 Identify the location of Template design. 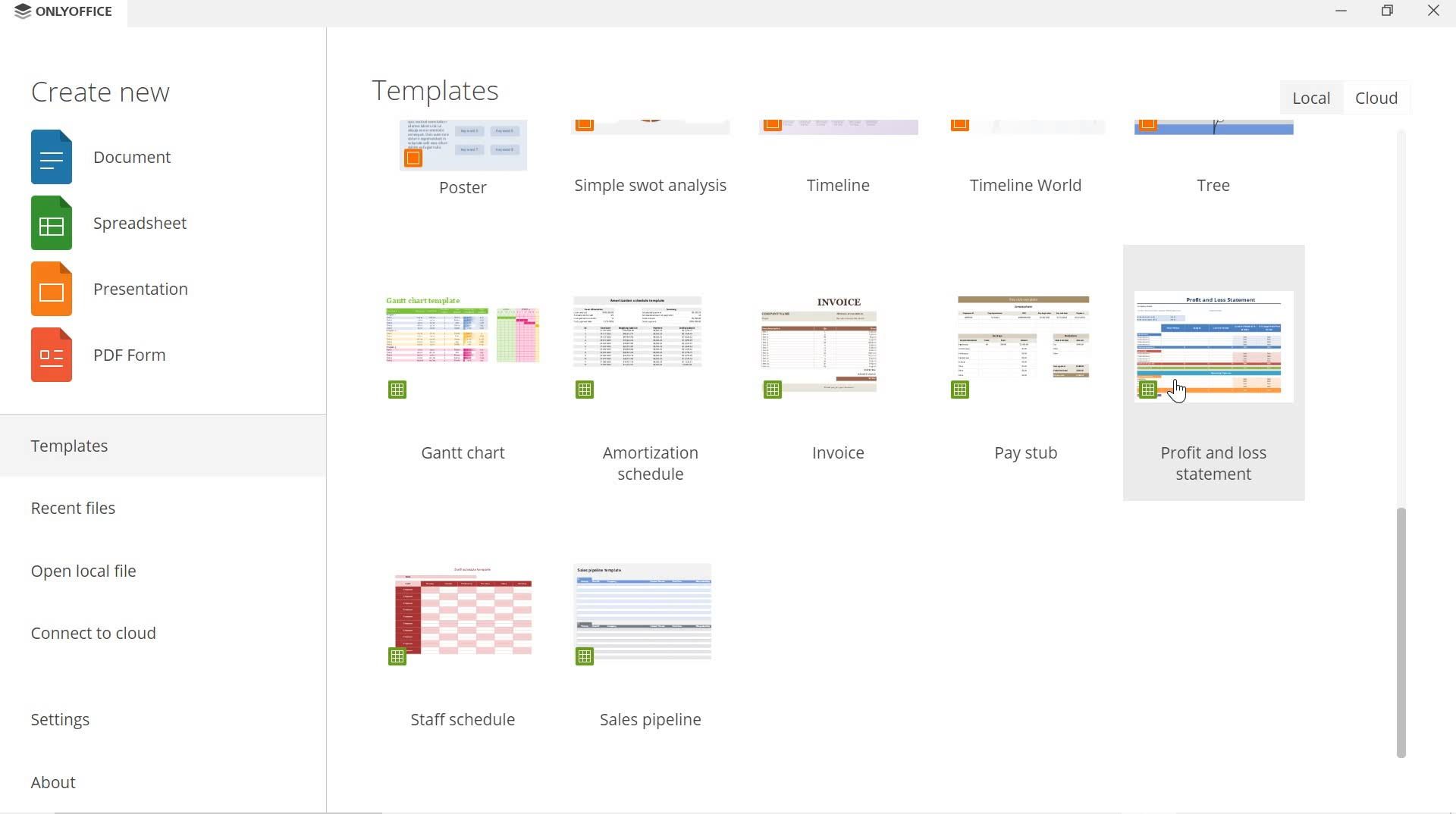
(822, 348).